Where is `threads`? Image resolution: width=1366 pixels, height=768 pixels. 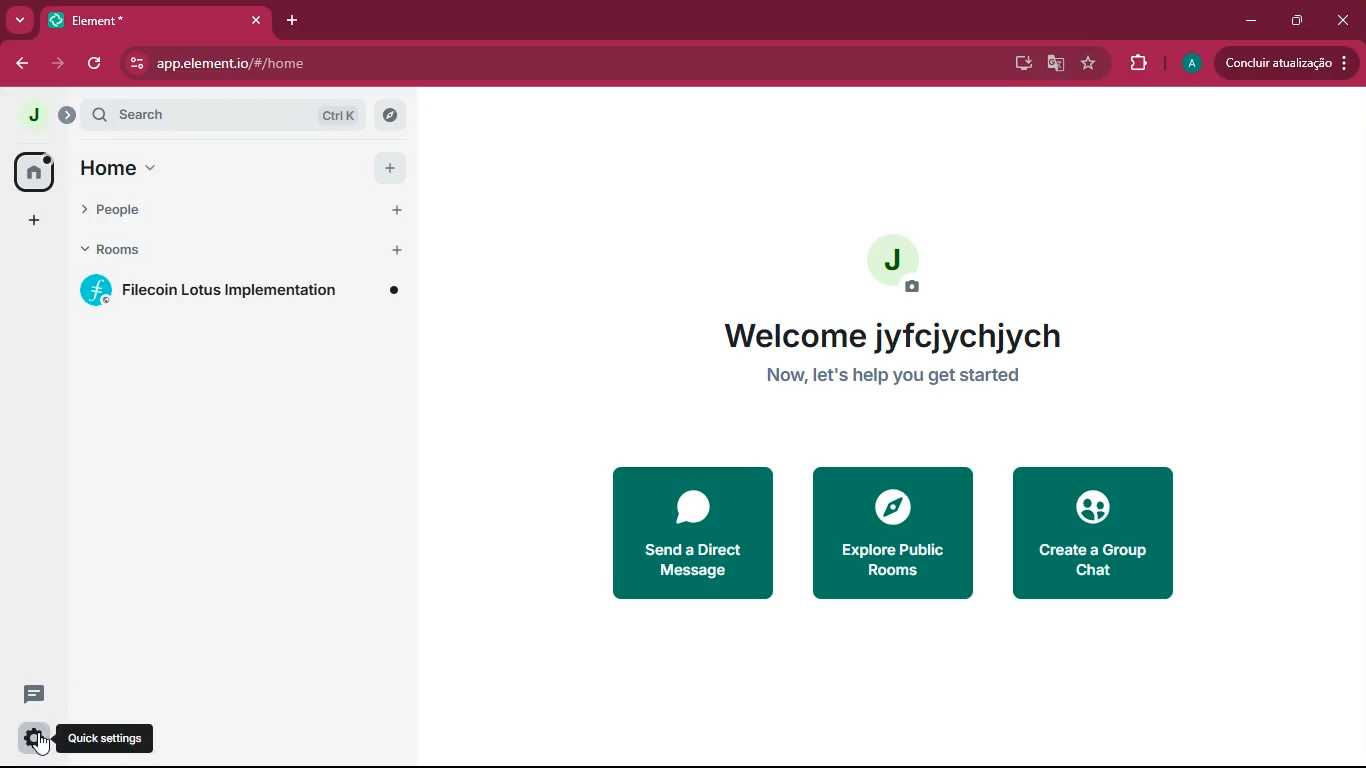
threads is located at coordinates (37, 692).